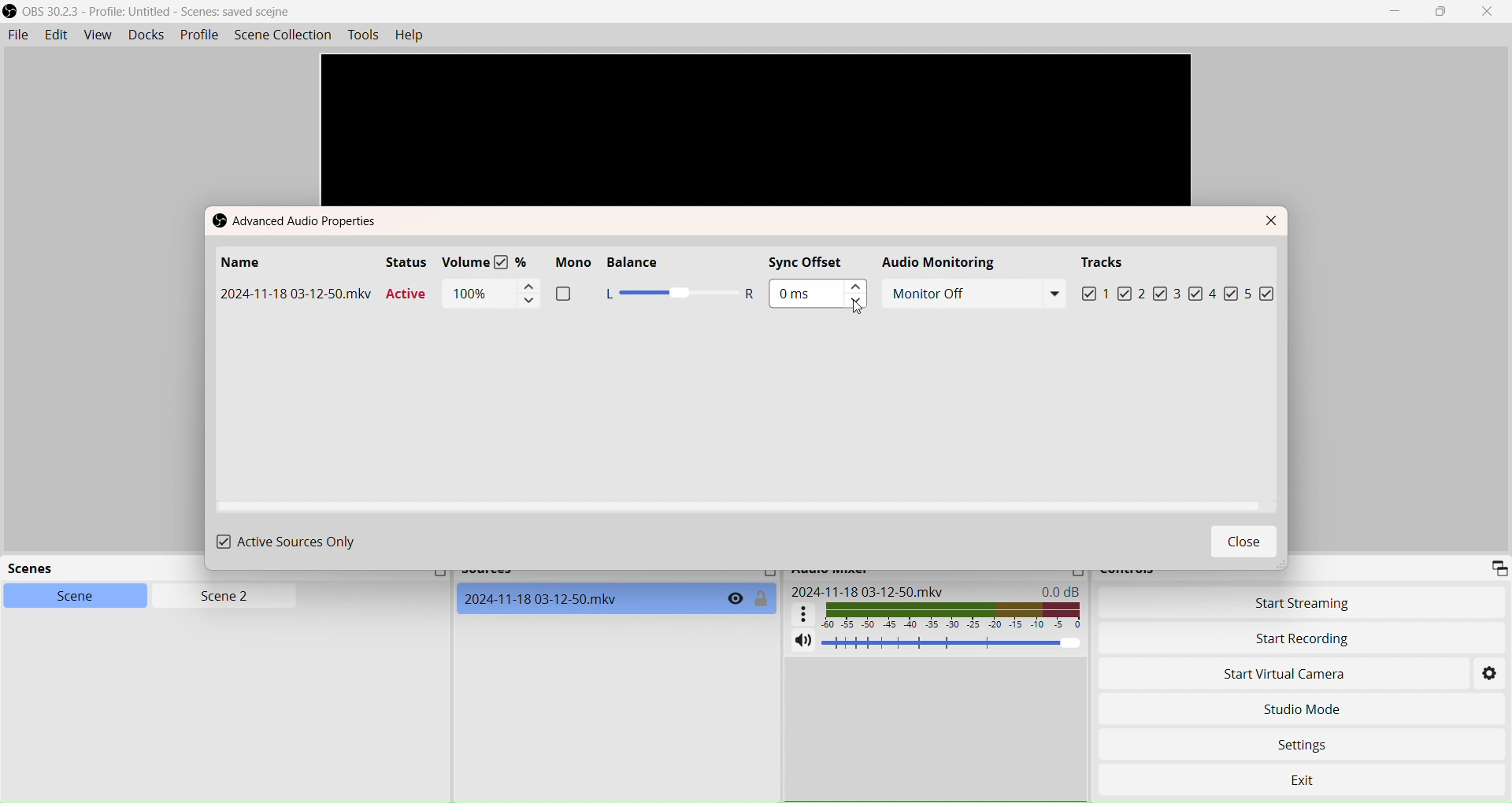 Image resolution: width=1512 pixels, height=803 pixels. What do you see at coordinates (217, 597) in the screenshot?
I see `Scene 2` at bounding box center [217, 597].